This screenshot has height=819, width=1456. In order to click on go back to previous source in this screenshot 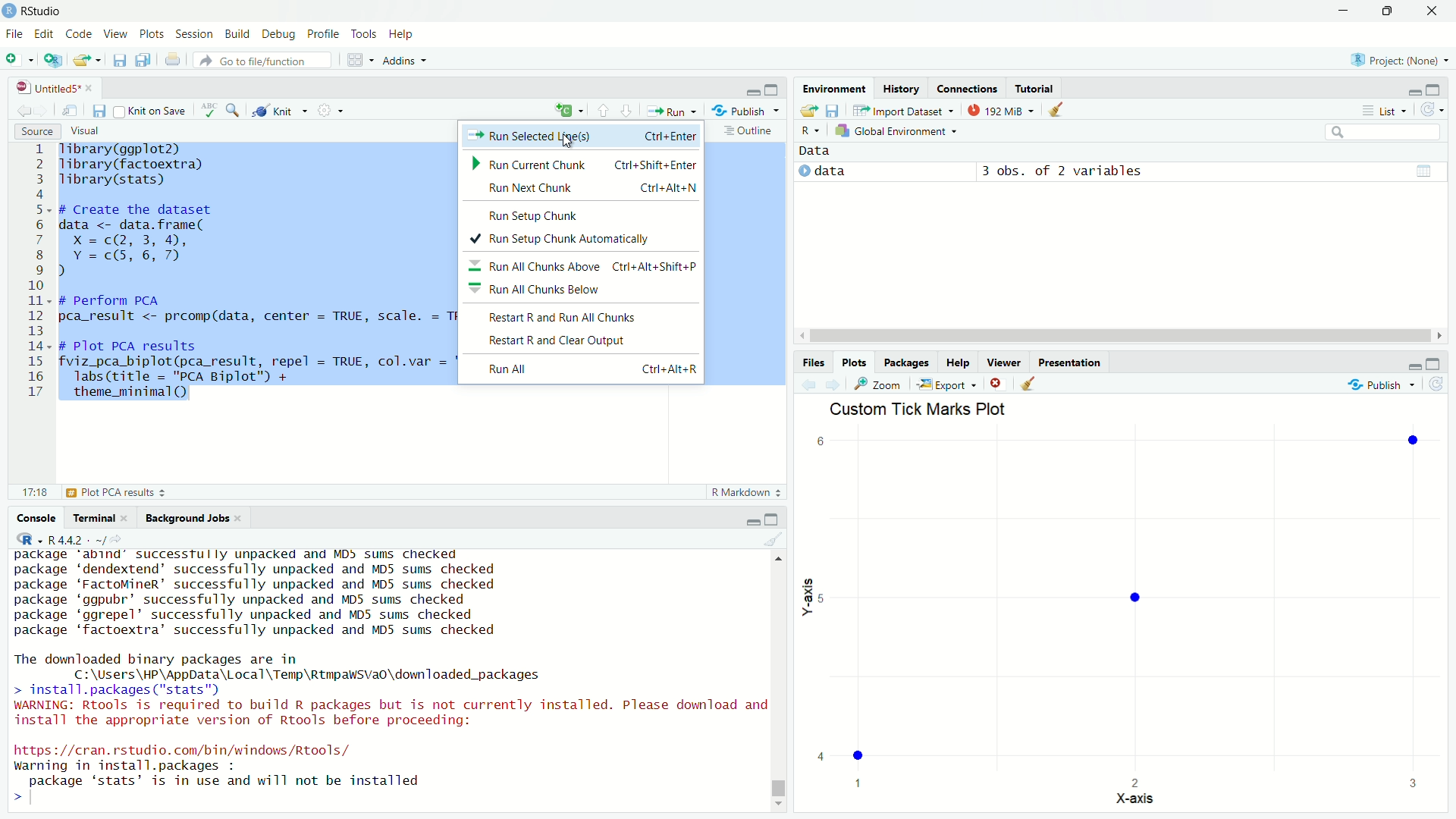, I will do `click(21, 111)`.